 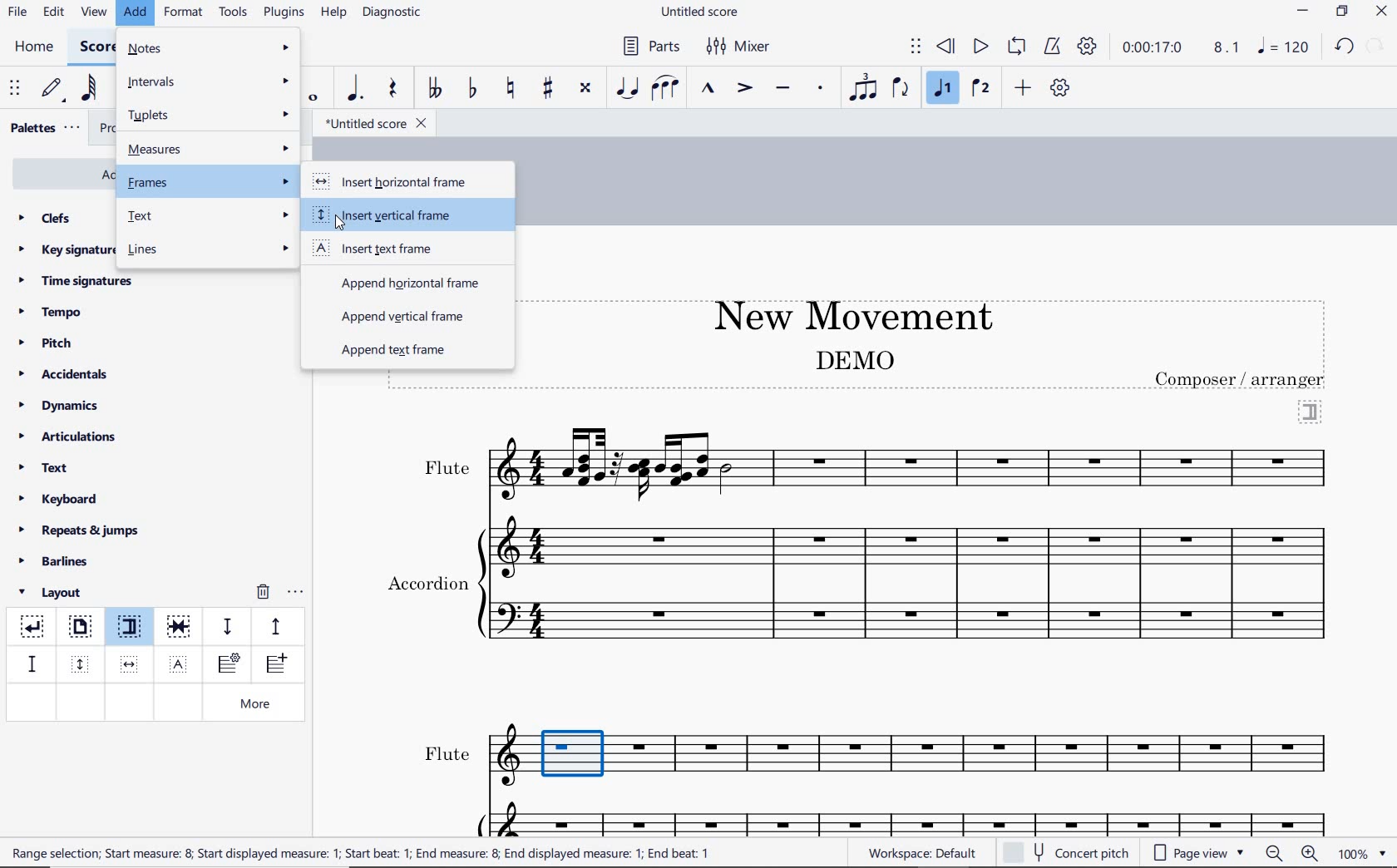 I want to click on remove layout, so click(x=263, y=594).